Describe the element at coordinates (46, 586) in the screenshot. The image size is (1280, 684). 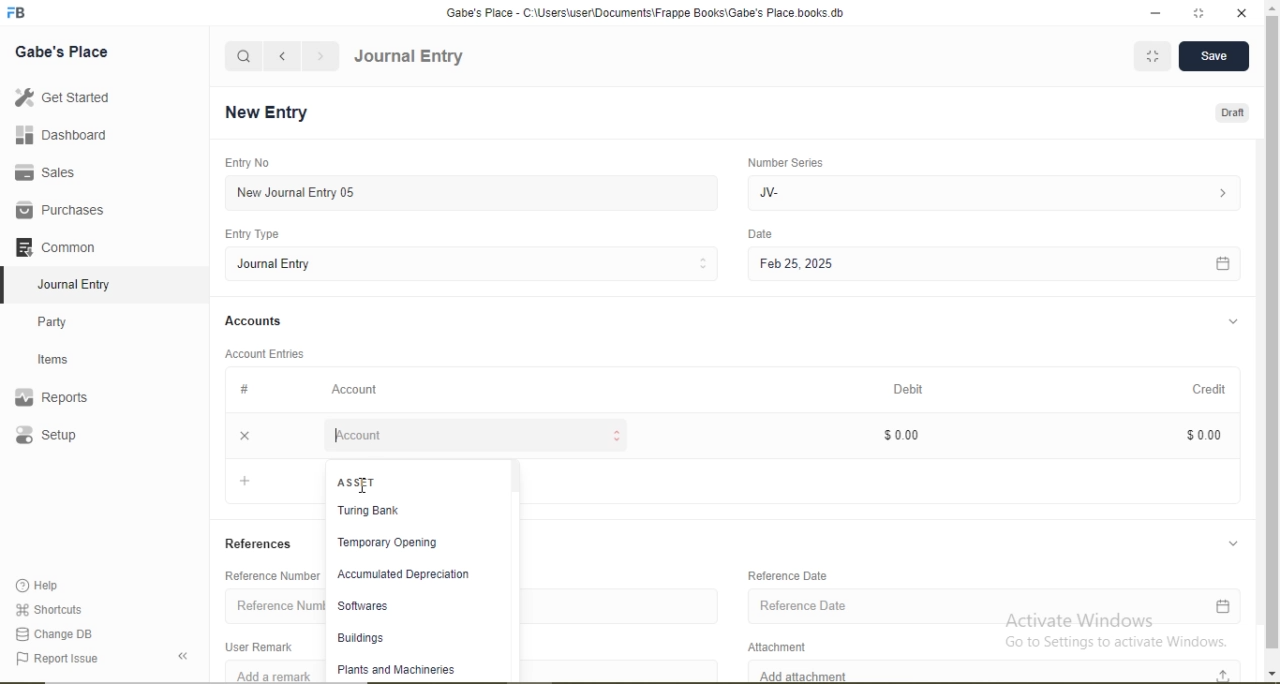
I see `Help` at that location.